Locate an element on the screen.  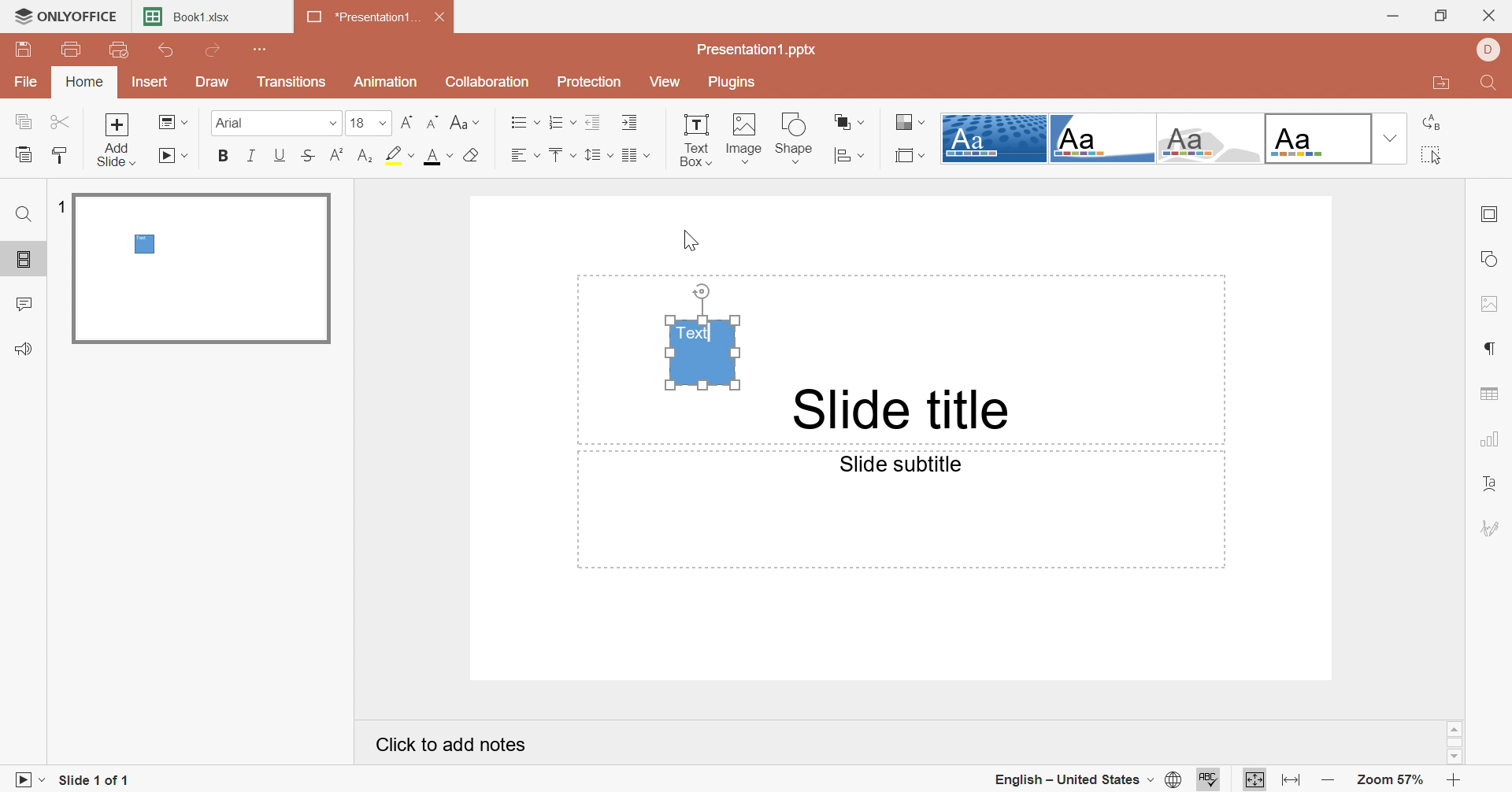
Redo is located at coordinates (214, 51).